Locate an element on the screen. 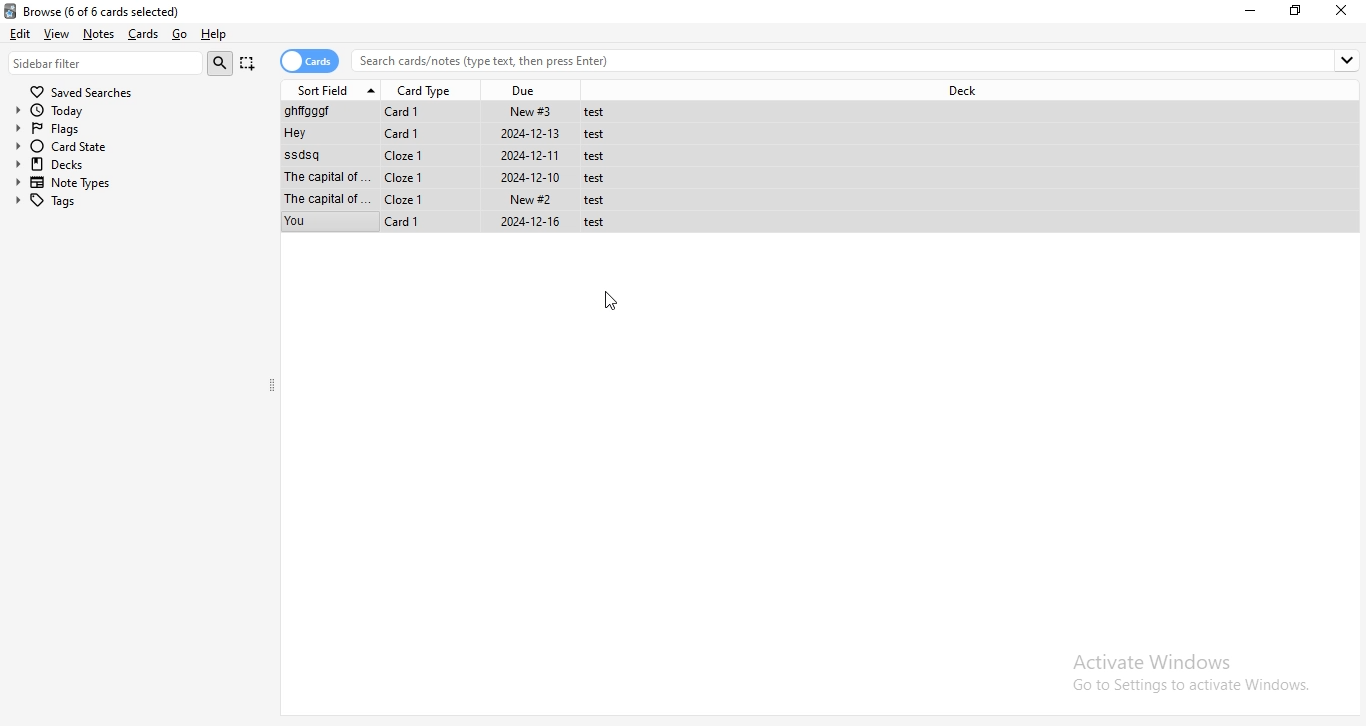 This screenshot has width=1366, height=726. cards is located at coordinates (311, 61).